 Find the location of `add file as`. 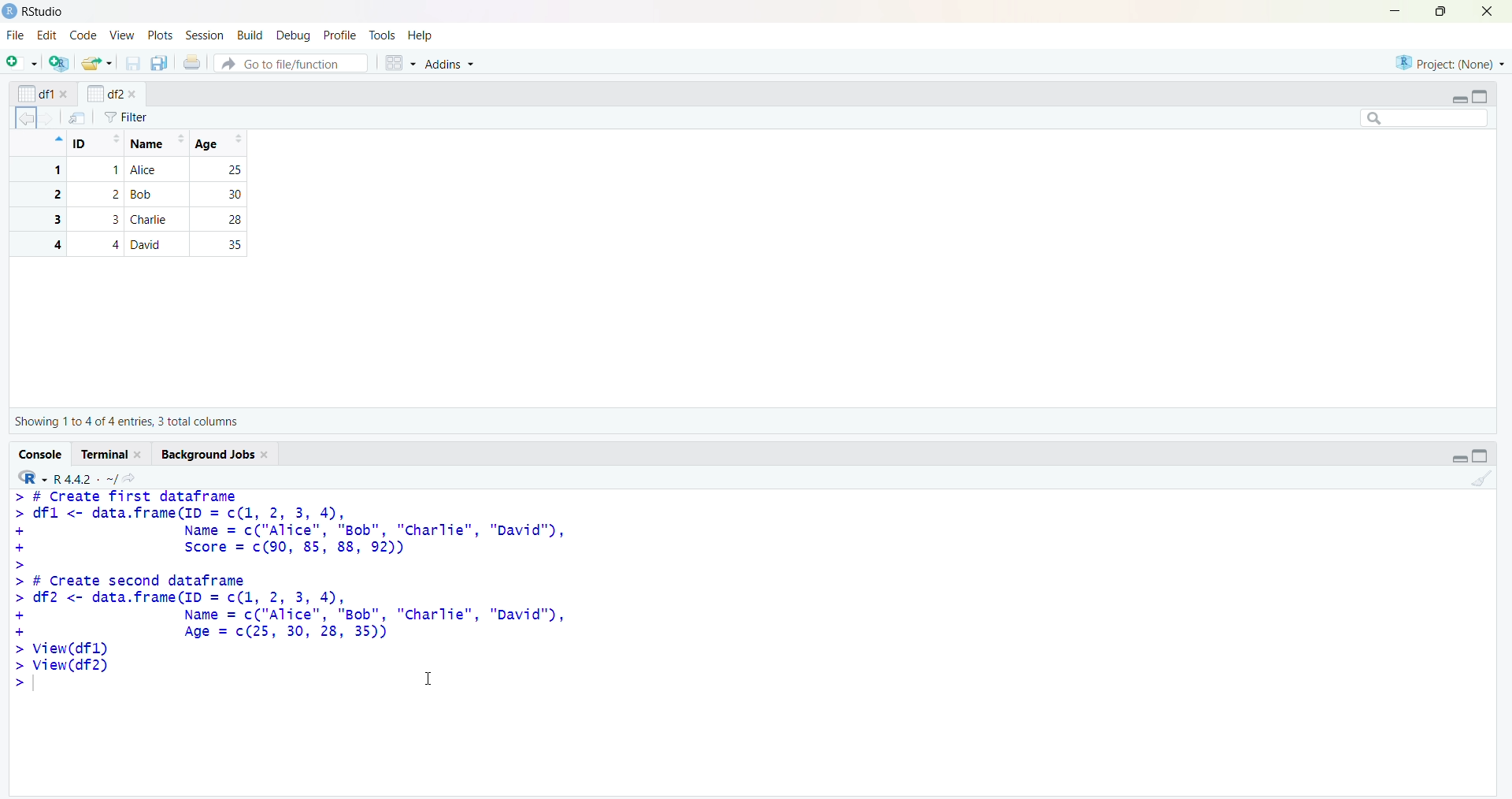

add file as is located at coordinates (25, 62).